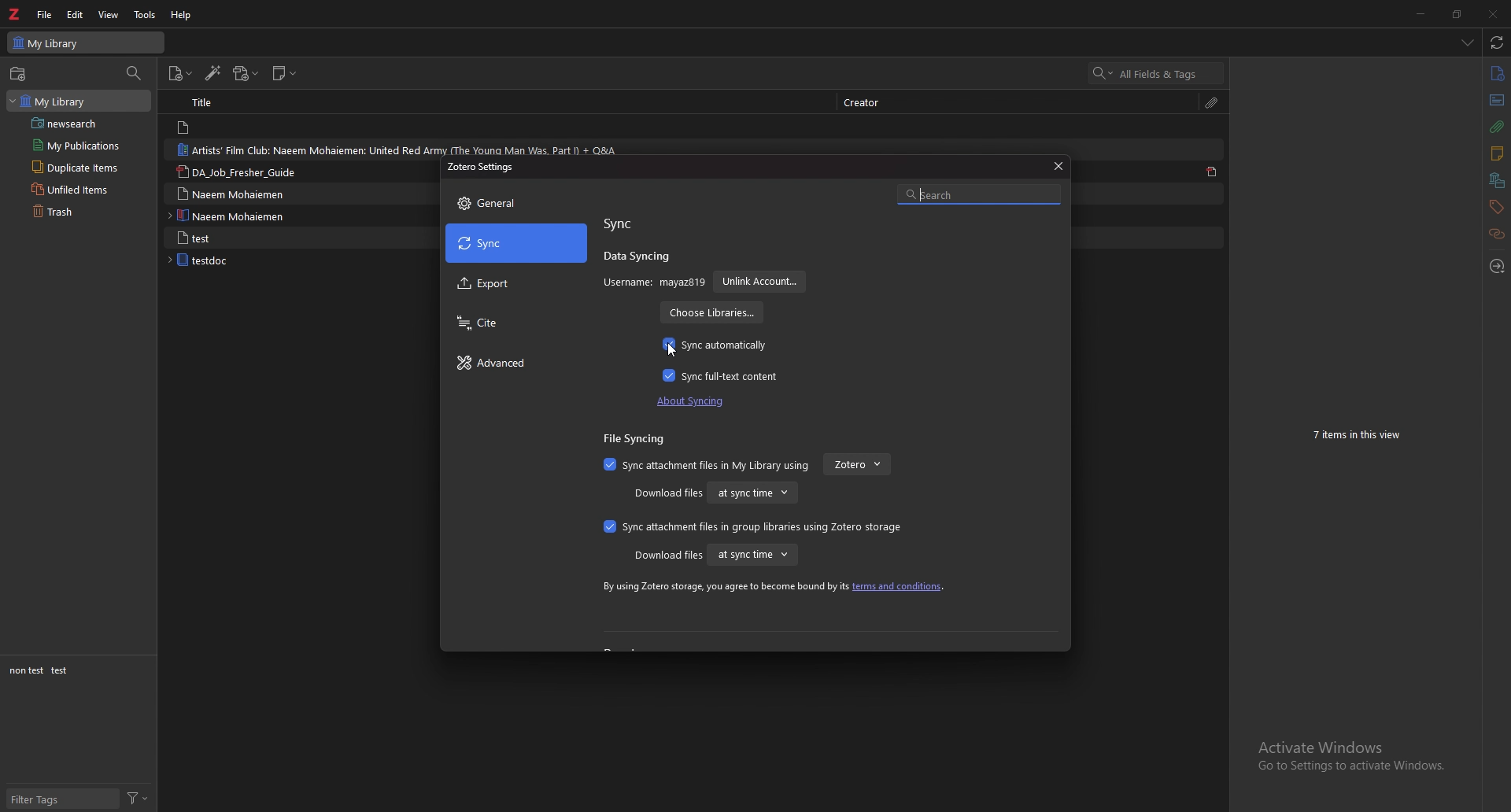 The image size is (1511, 812). Describe the element at coordinates (1421, 13) in the screenshot. I see `minimize` at that location.